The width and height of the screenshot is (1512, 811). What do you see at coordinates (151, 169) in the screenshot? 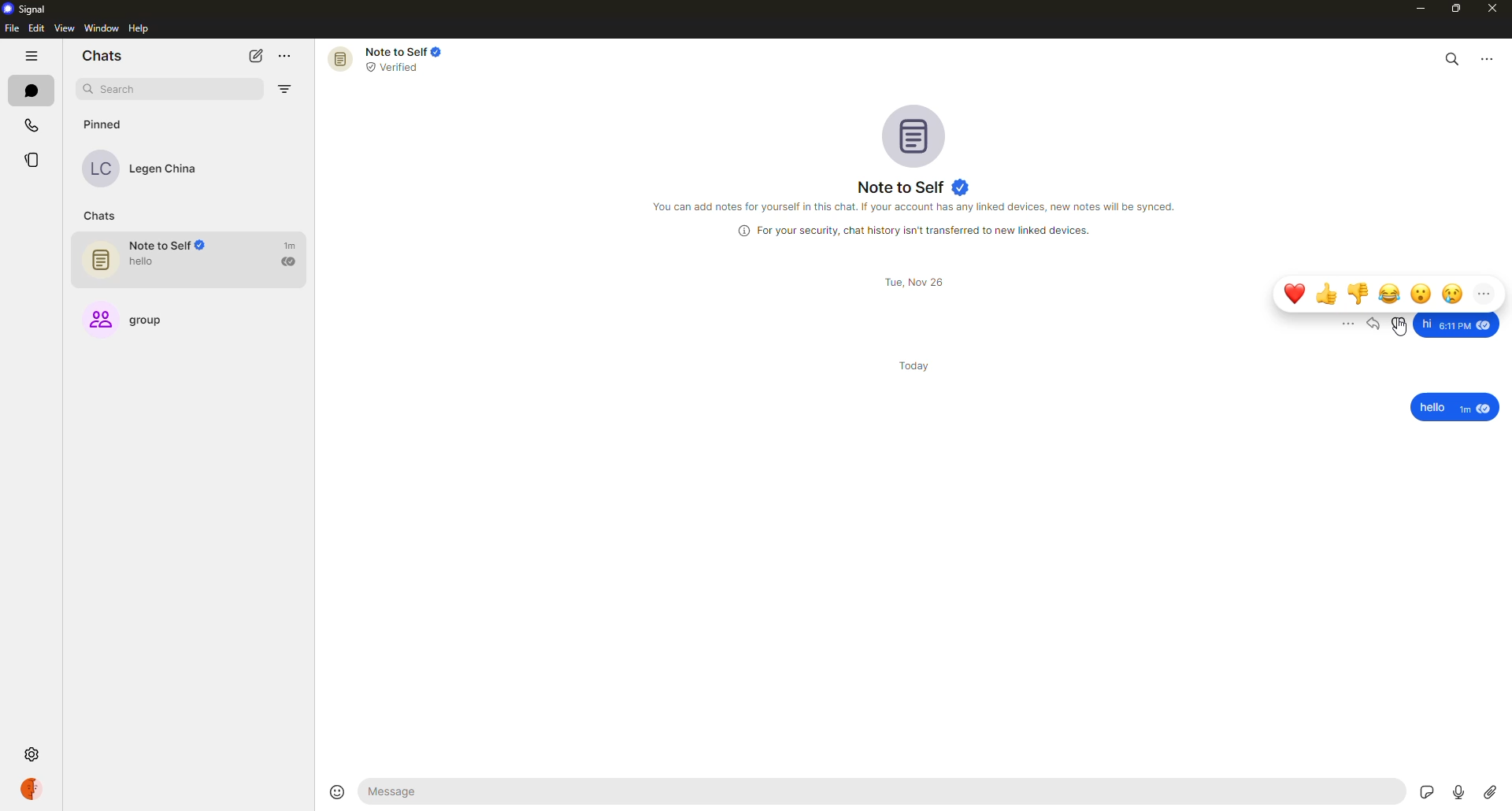
I see `contact` at bounding box center [151, 169].